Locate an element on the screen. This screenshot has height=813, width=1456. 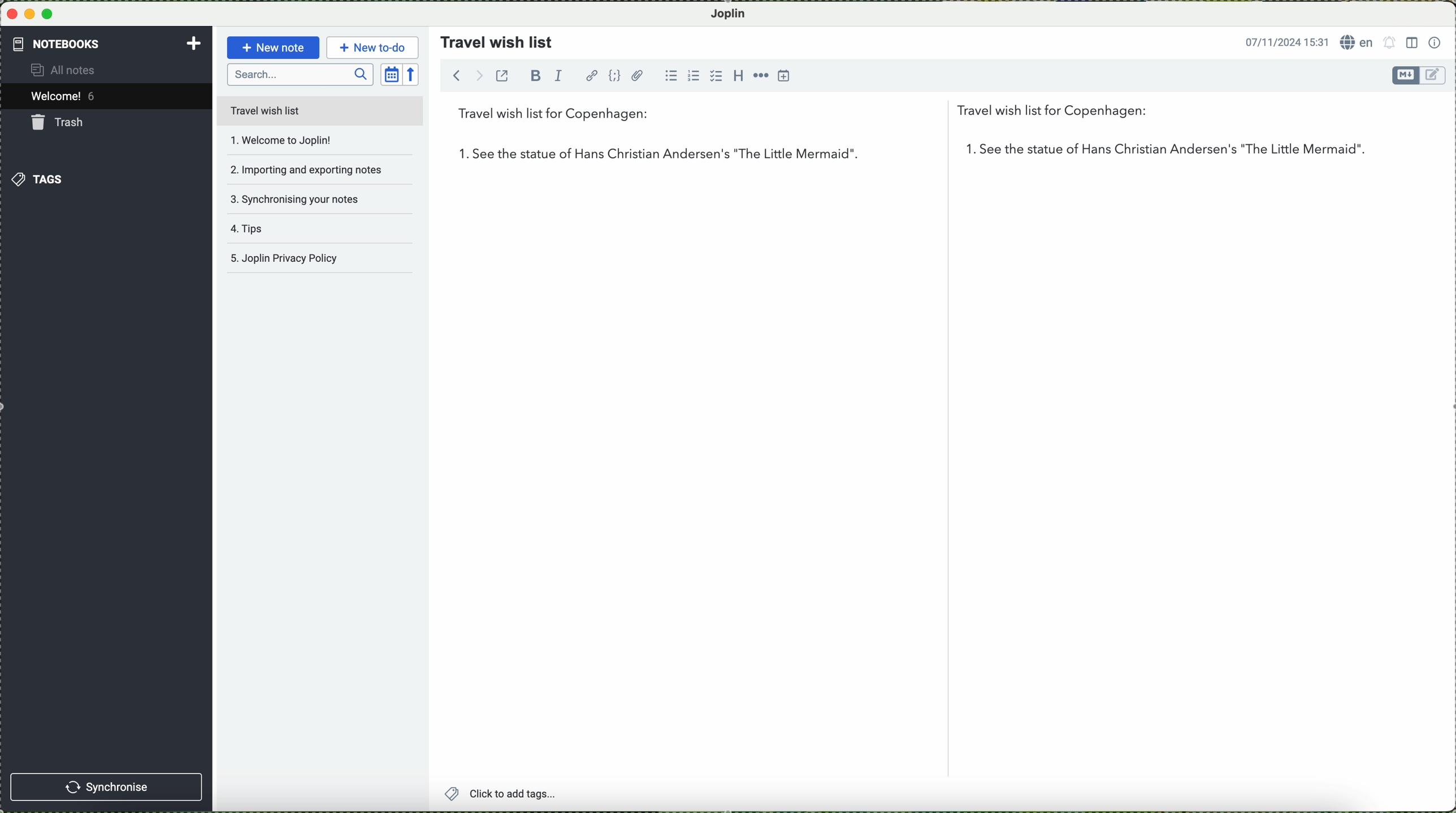
reverse sort order is located at coordinates (414, 73).